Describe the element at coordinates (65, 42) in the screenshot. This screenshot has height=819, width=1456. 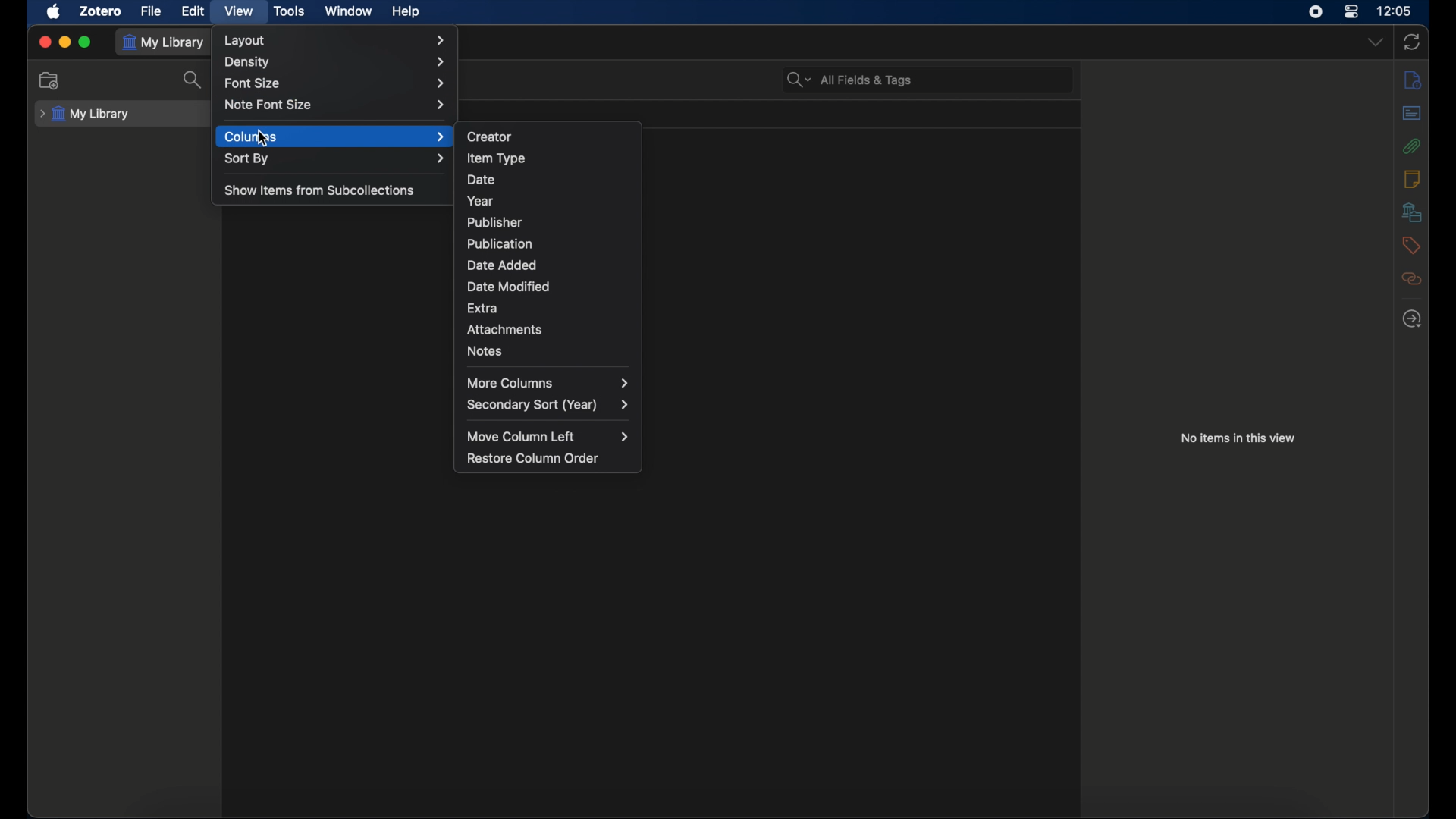
I see `minimize` at that location.